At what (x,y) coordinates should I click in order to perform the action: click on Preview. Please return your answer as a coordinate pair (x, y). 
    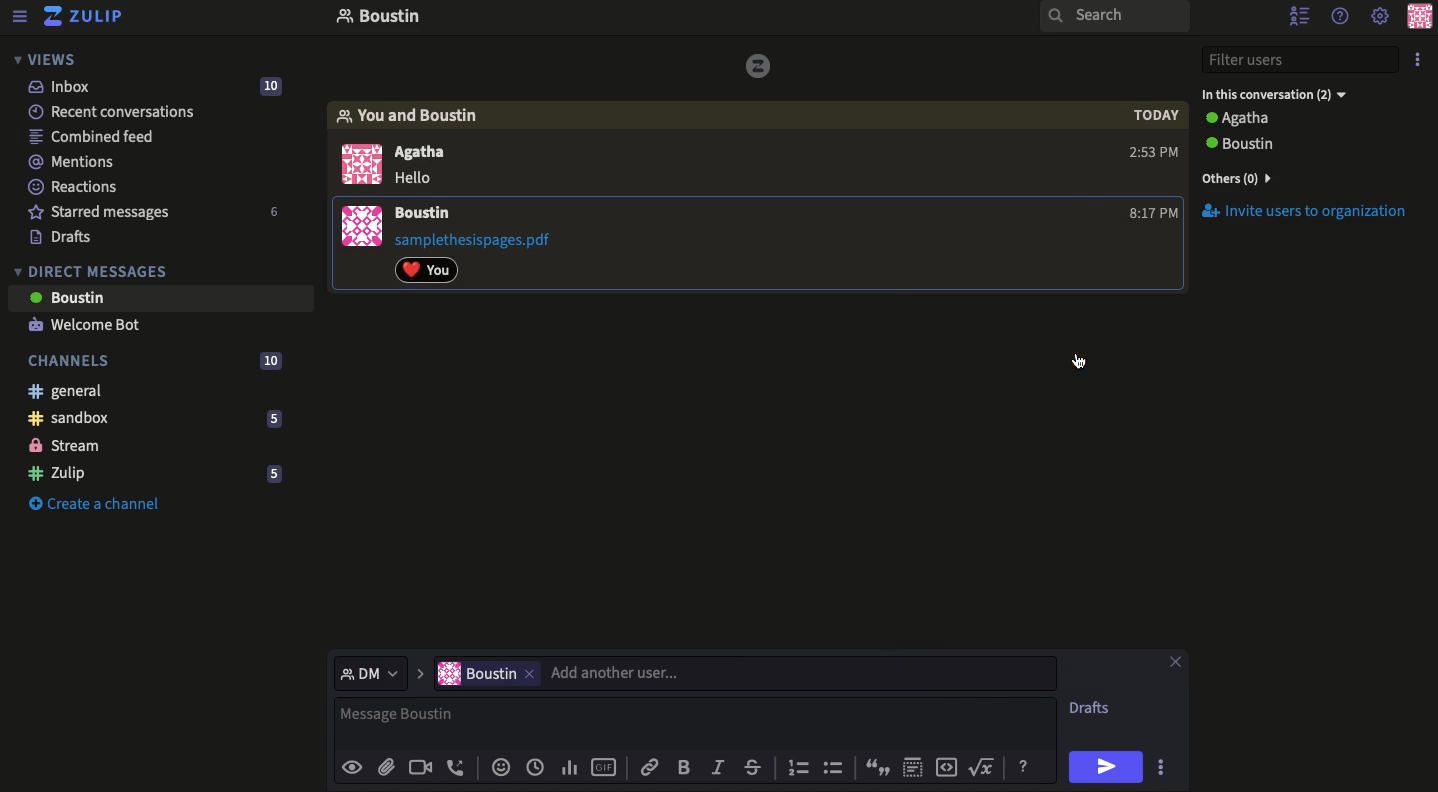
    Looking at the image, I should click on (354, 768).